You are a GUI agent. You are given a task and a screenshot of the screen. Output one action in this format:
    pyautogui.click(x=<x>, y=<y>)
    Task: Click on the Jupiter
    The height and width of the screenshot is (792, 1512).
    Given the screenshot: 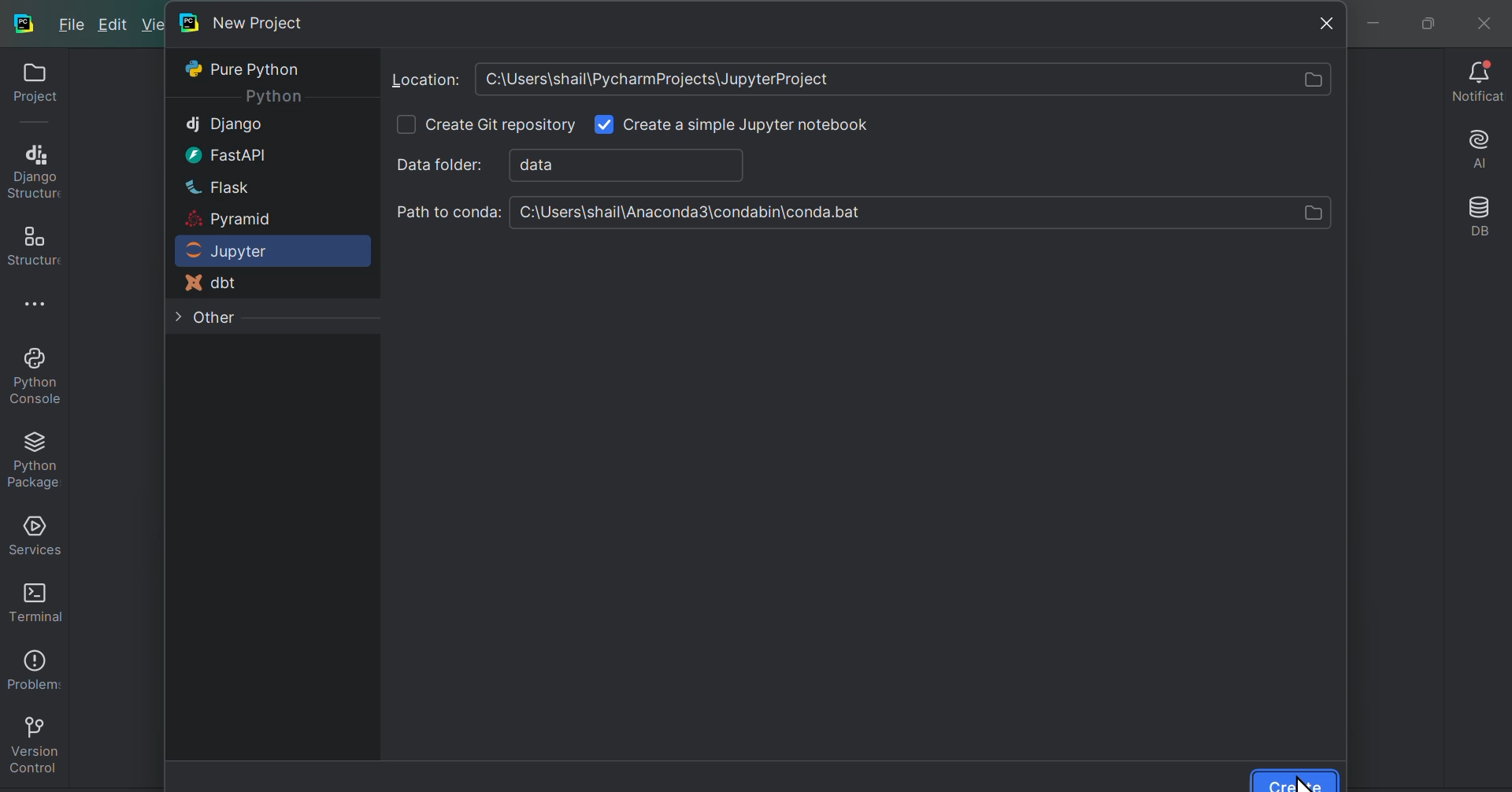 What is the action you would take?
    pyautogui.click(x=232, y=250)
    